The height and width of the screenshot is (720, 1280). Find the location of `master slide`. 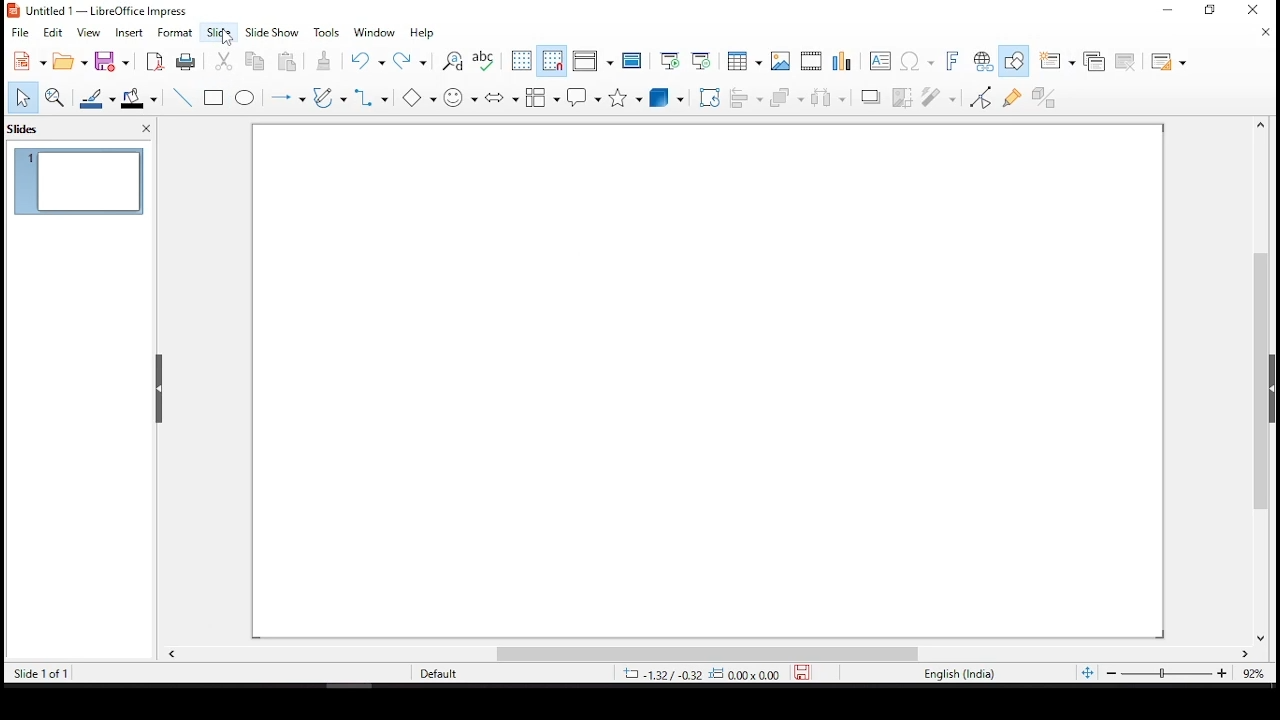

master slide is located at coordinates (635, 60).